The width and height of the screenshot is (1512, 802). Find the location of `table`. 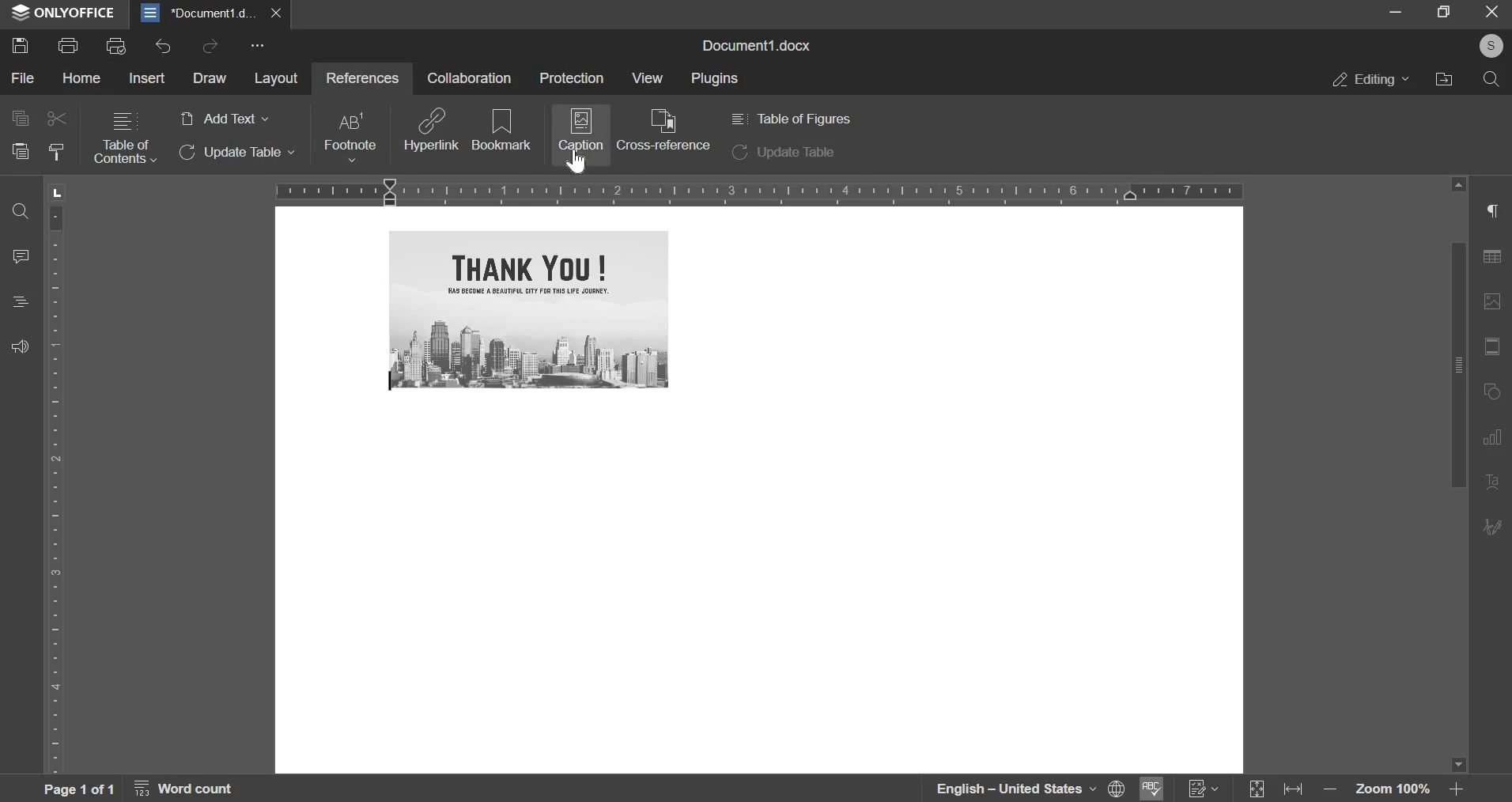

table is located at coordinates (1497, 260).